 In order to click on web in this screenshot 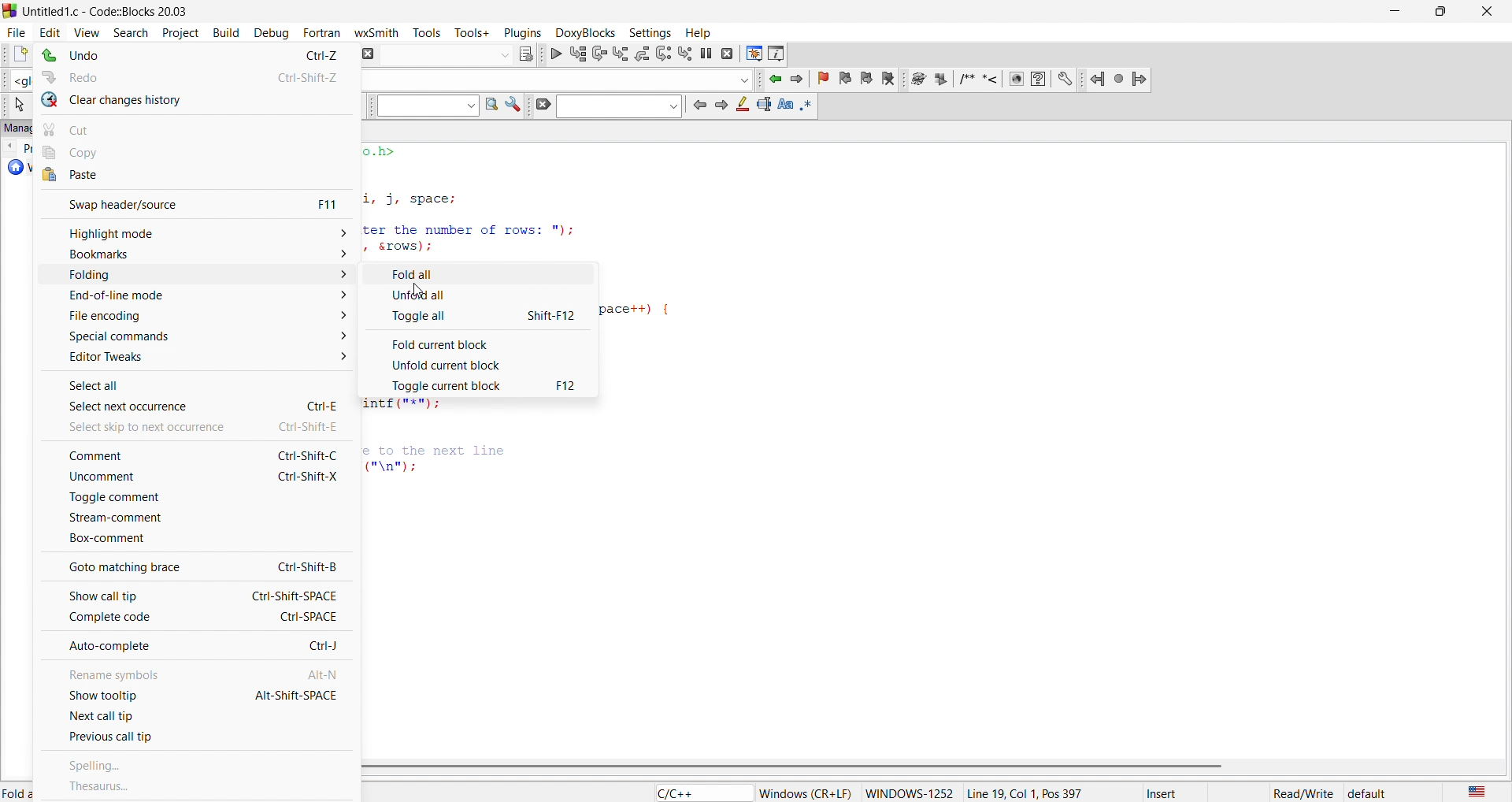, I will do `click(1014, 79)`.